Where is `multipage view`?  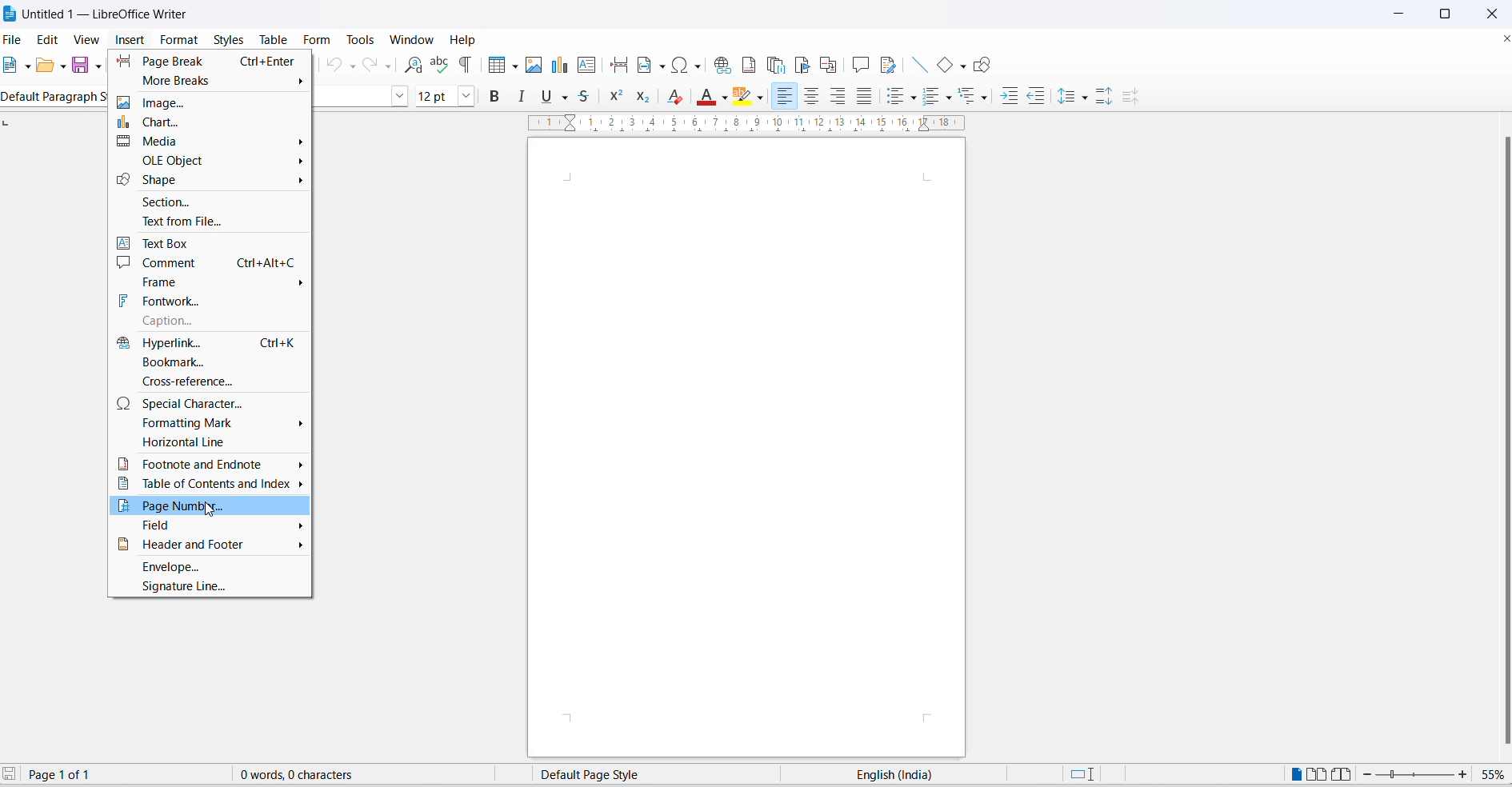
multipage view is located at coordinates (1318, 775).